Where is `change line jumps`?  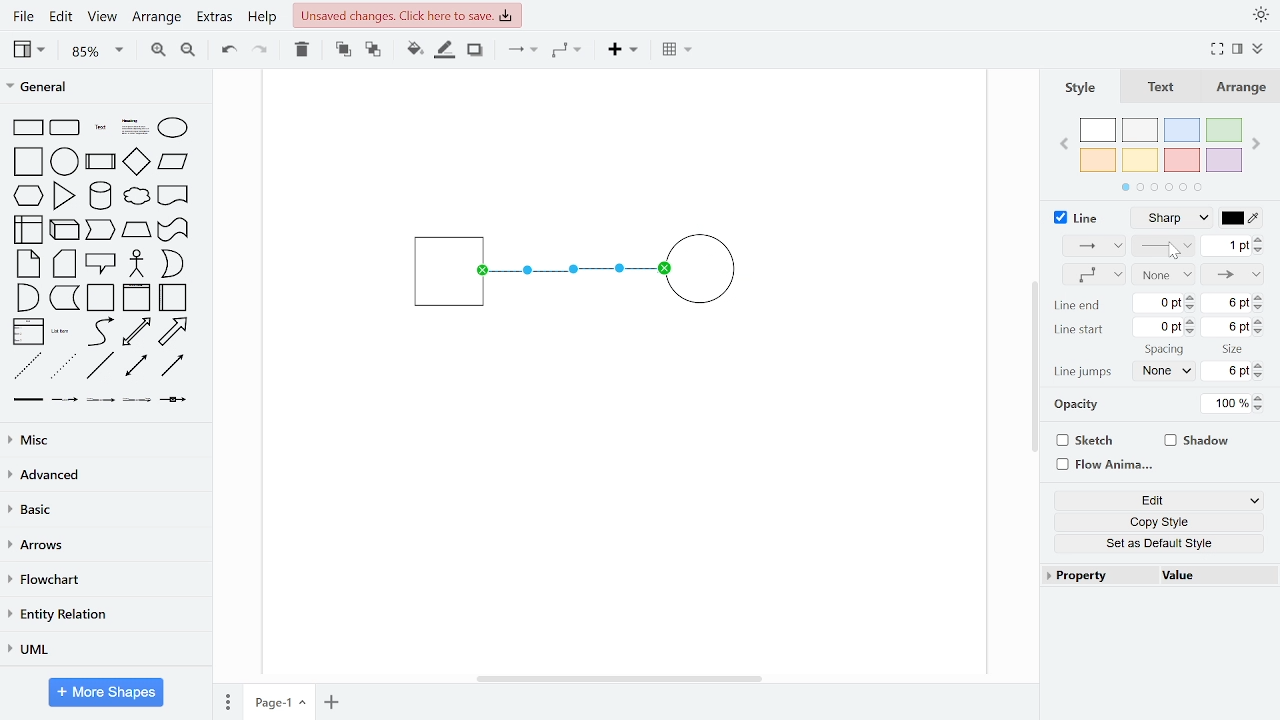
change line jumps is located at coordinates (1231, 372).